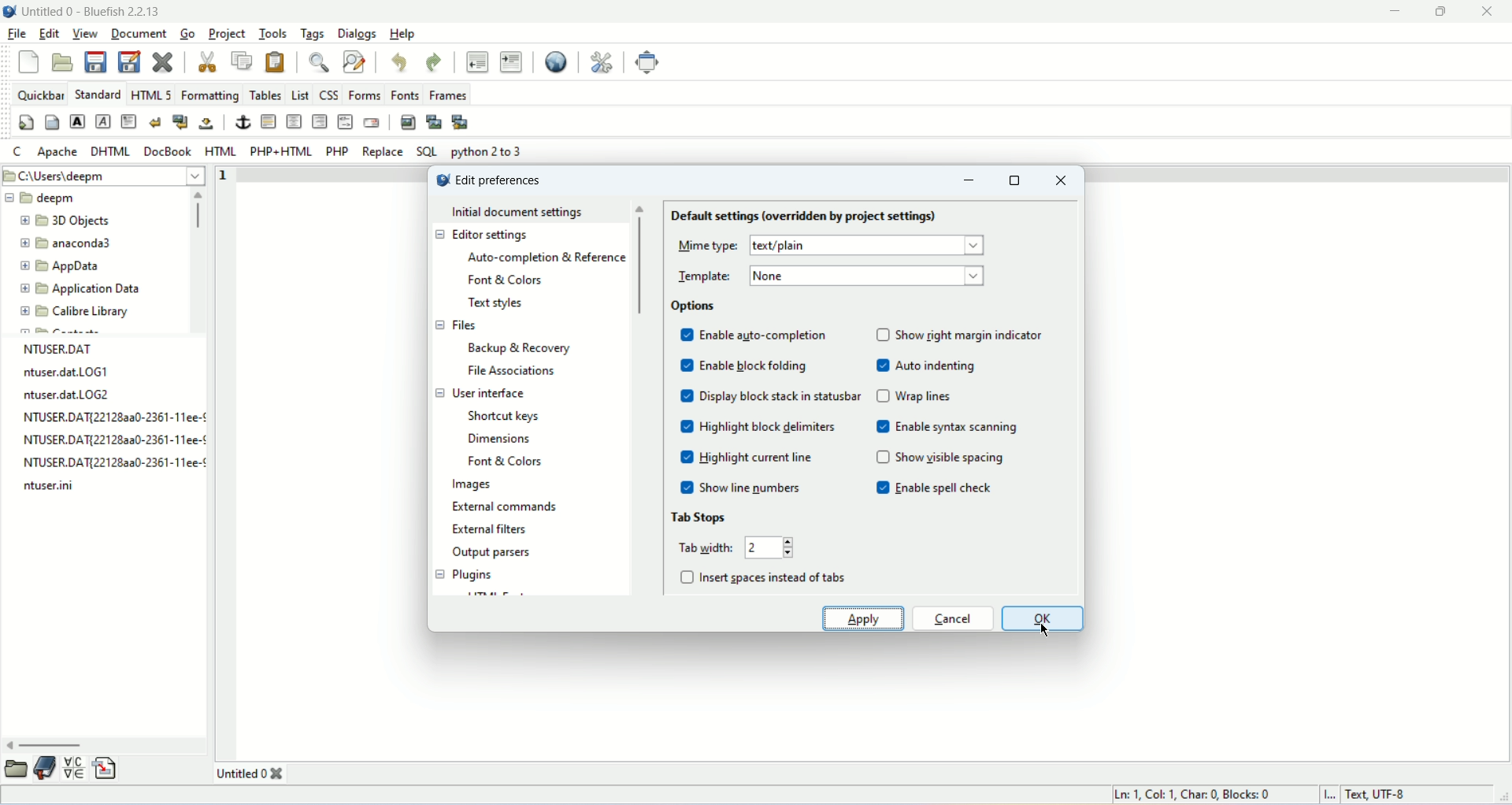 This screenshot has width=1512, height=805. Describe the element at coordinates (83, 268) in the screenshot. I see `AppData` at that location.